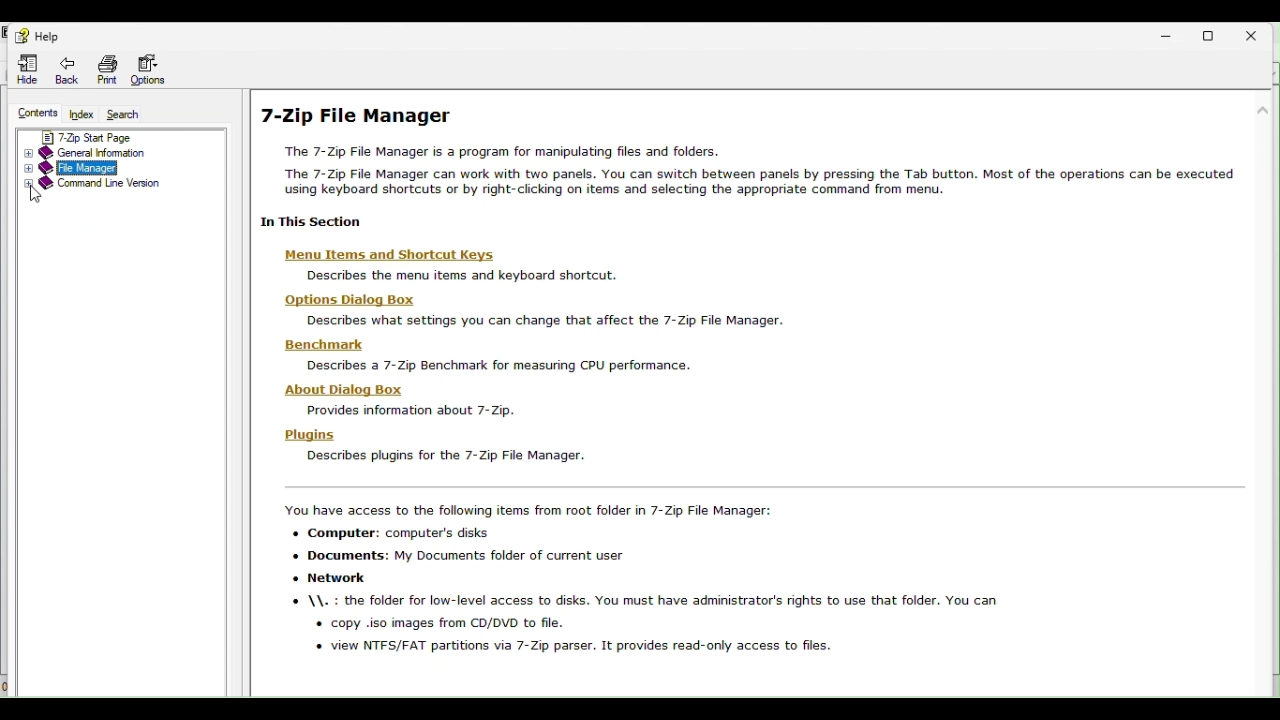  Describe the element at coordinates (429, 445) in the screenshot. I see `Plugins` at that location.